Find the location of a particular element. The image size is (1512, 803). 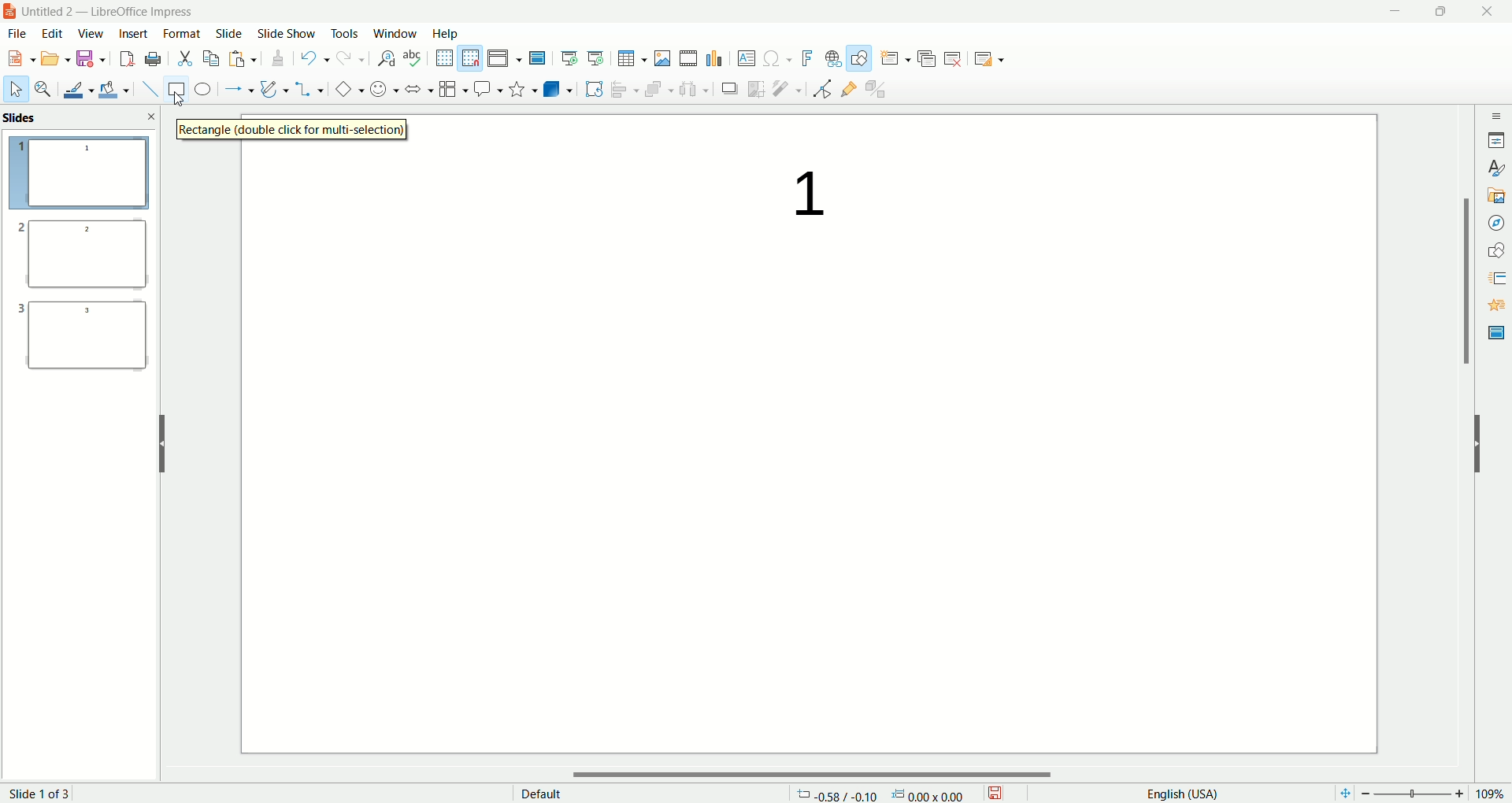

fit page to current window is located at coordinates (1340, 794).